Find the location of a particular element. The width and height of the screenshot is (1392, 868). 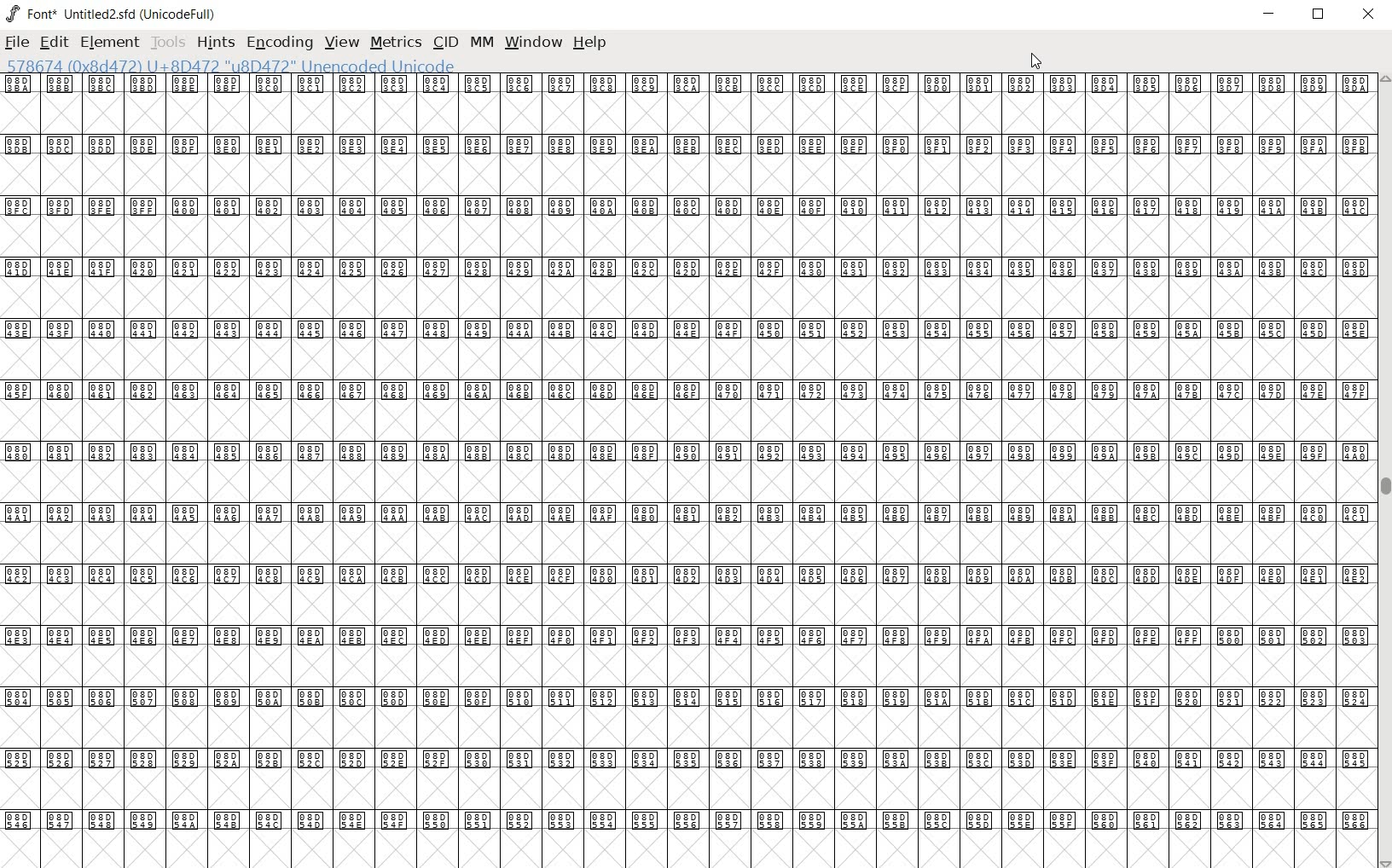

close is located at coordinates (1368, 14).